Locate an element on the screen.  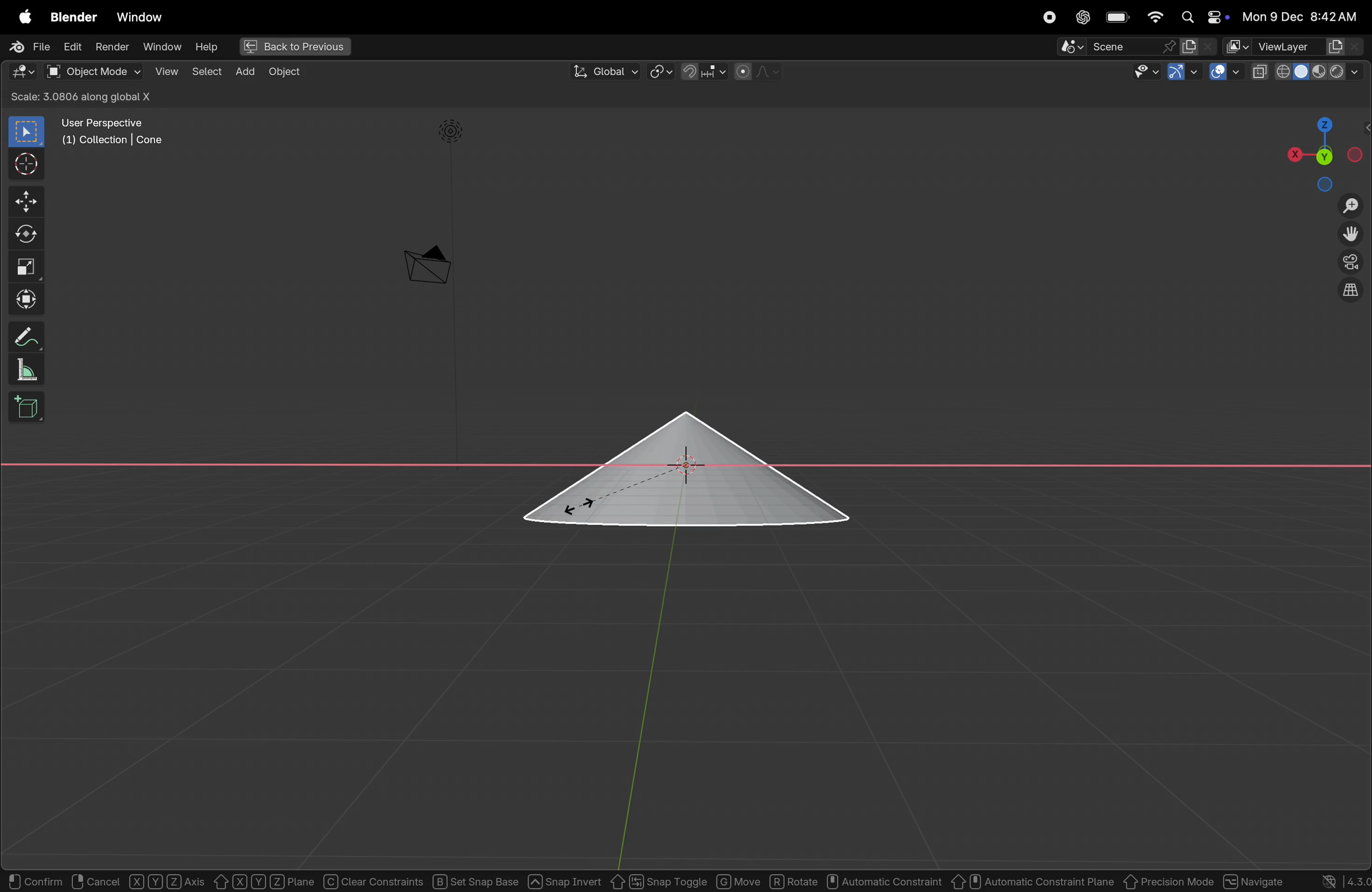
view is located at coordinates (163, 71).